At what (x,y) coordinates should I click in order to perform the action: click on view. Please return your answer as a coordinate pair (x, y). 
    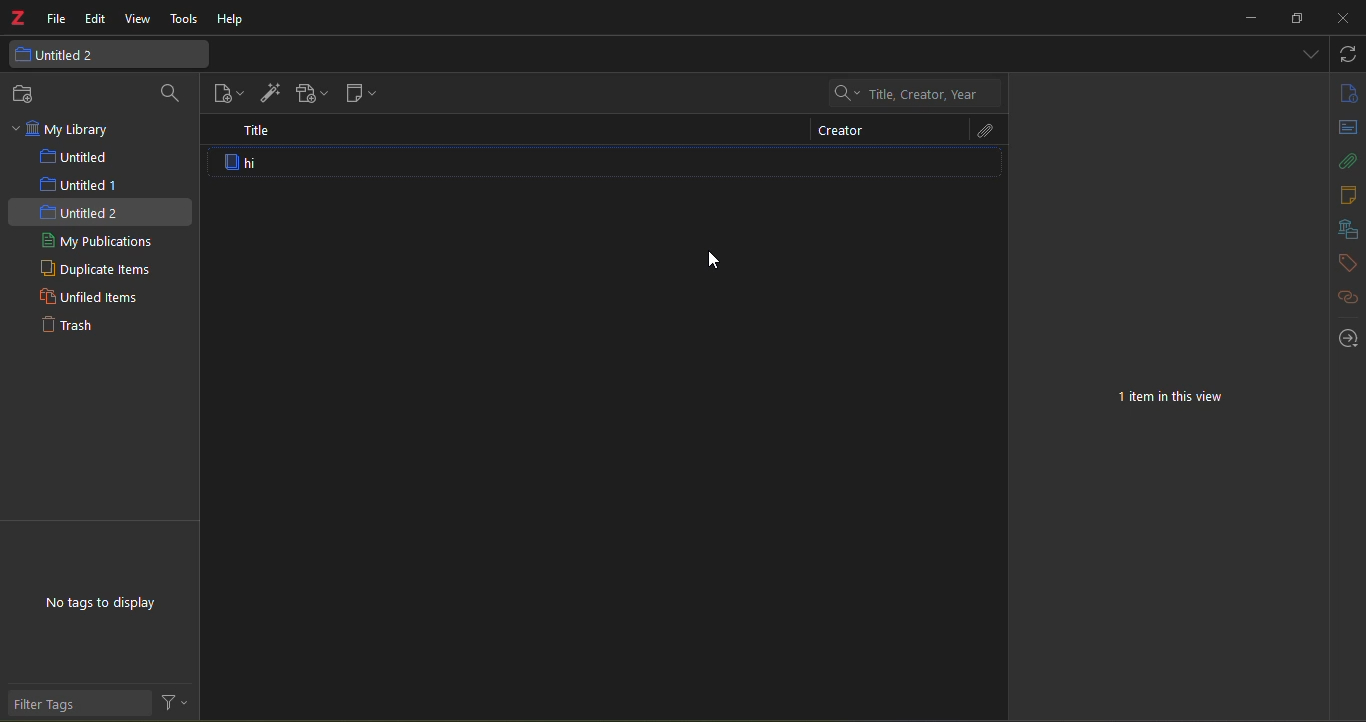
    Looking at the image, I should click on (138, 19).